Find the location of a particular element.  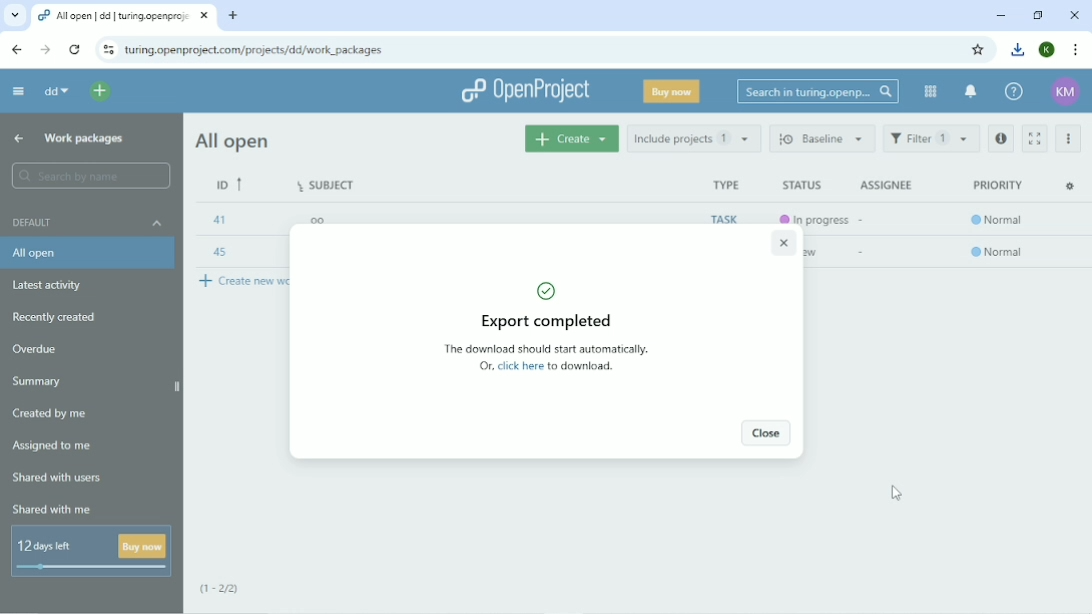

New tab is located at coordinates (232, 15).